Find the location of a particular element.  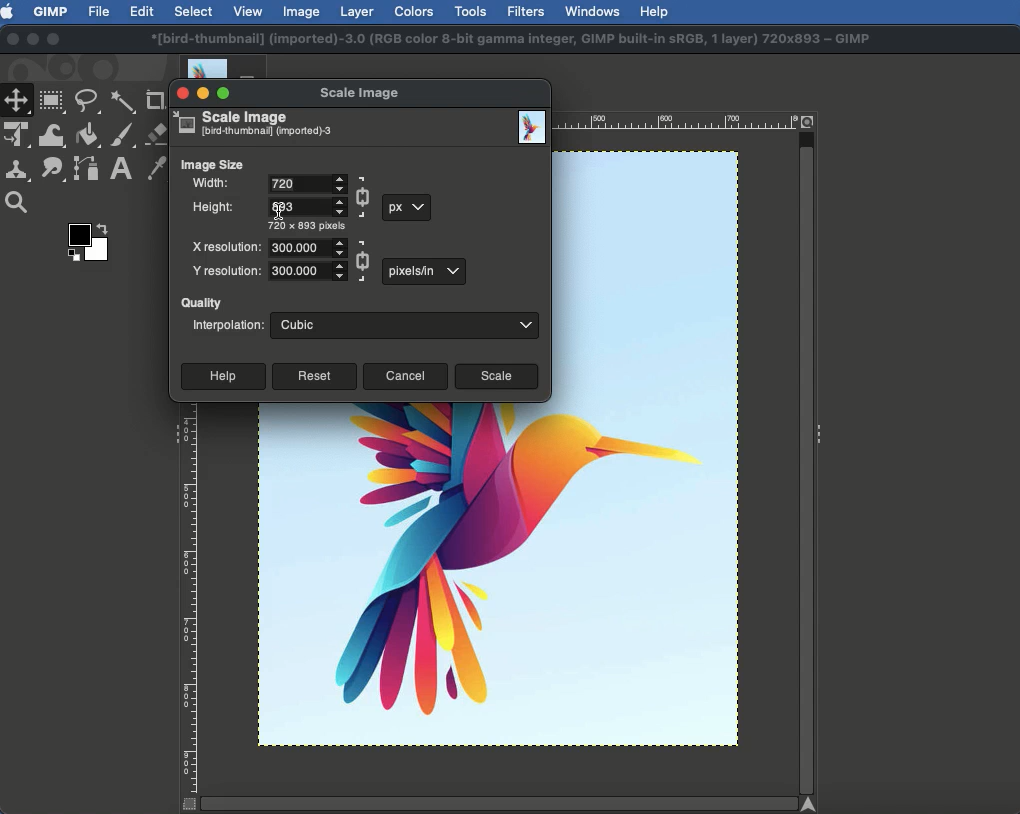

Numeral is located at coordinates (305, 205).